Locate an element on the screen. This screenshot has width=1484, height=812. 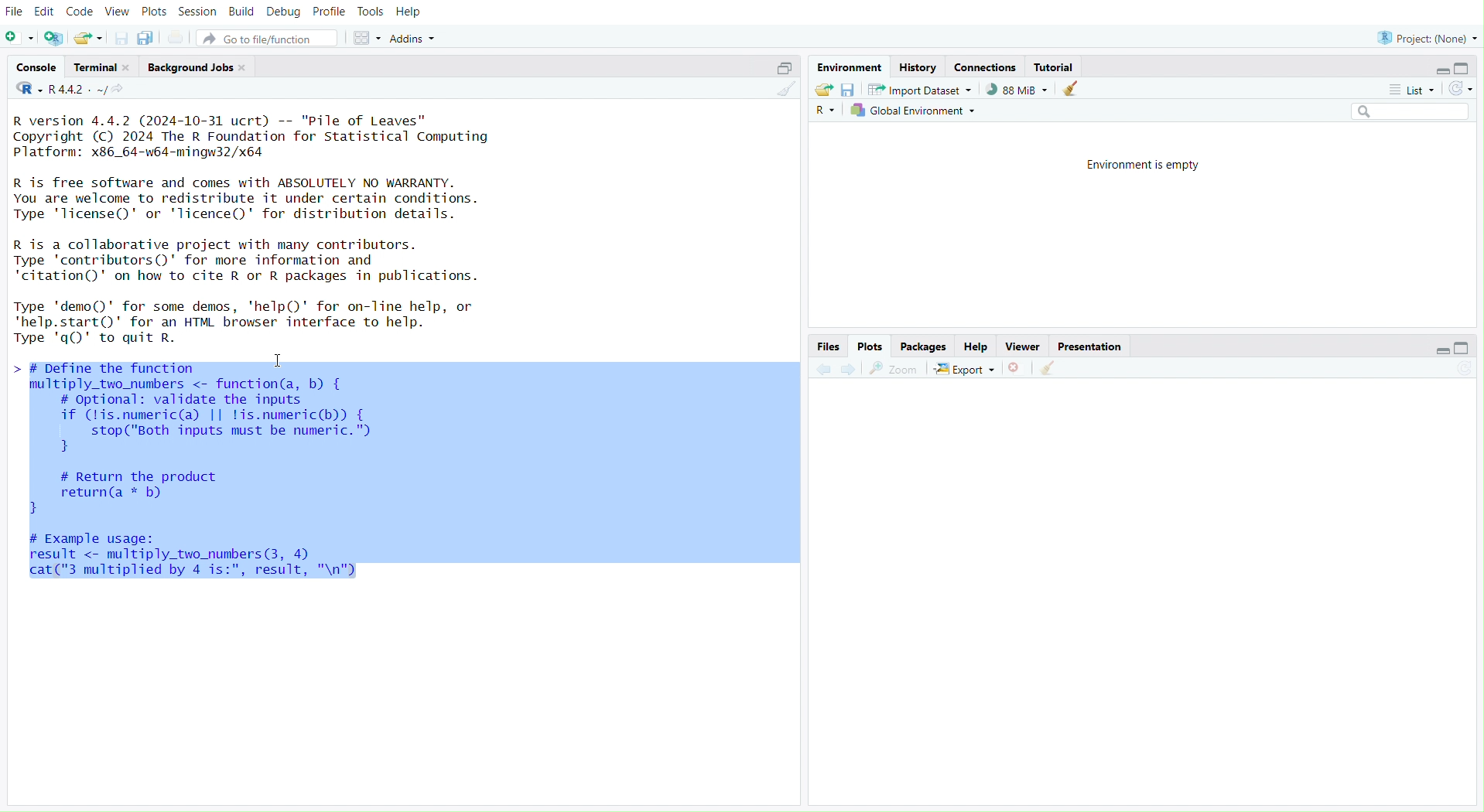
88kib used by R session (Source: Windows System) is located at coordinates (1014, 90).